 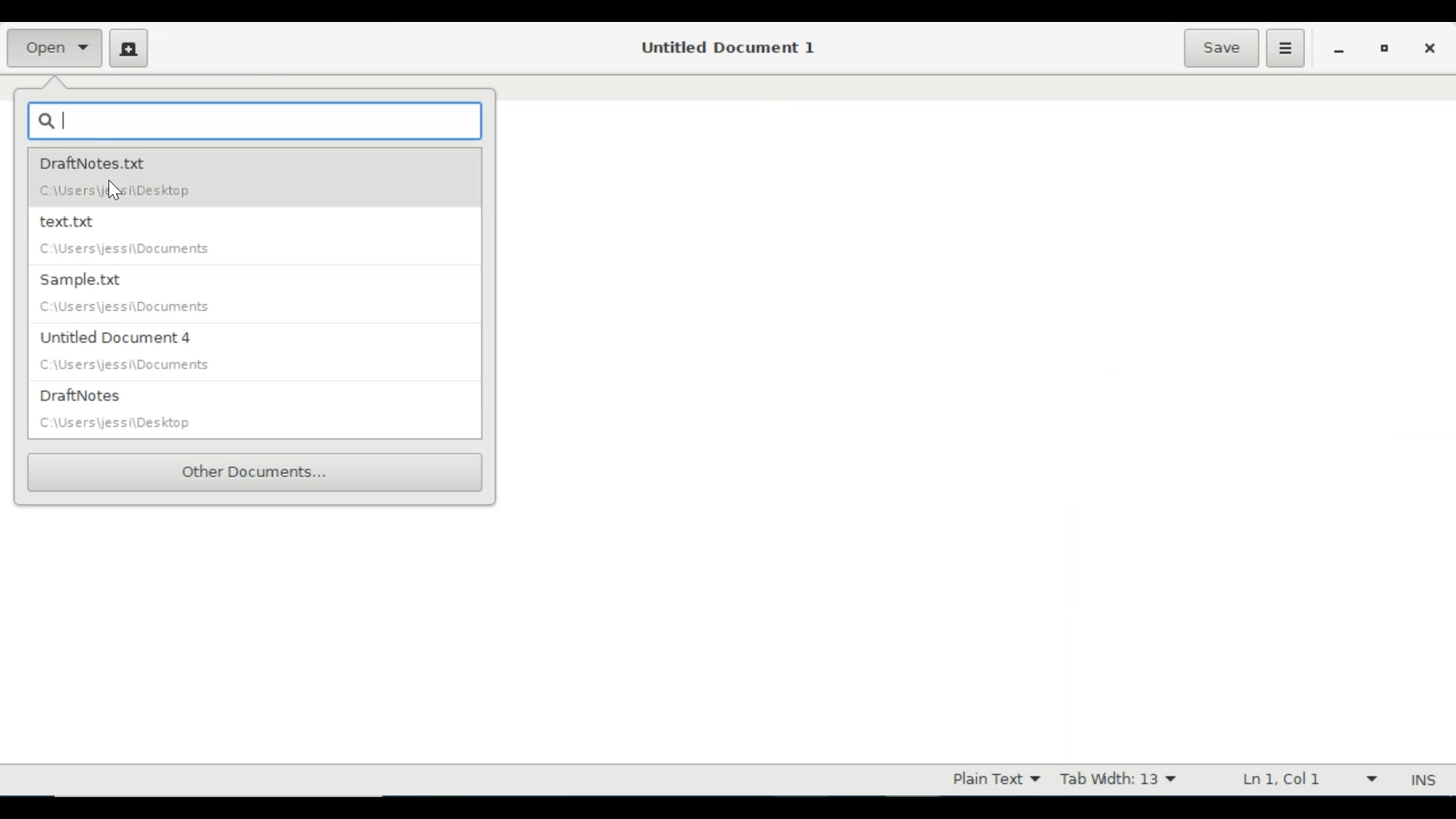 What do you see at coordinates (255, 354) in the screenshot?
I see `Untitled Document 4` at bounding box center [255, 354].